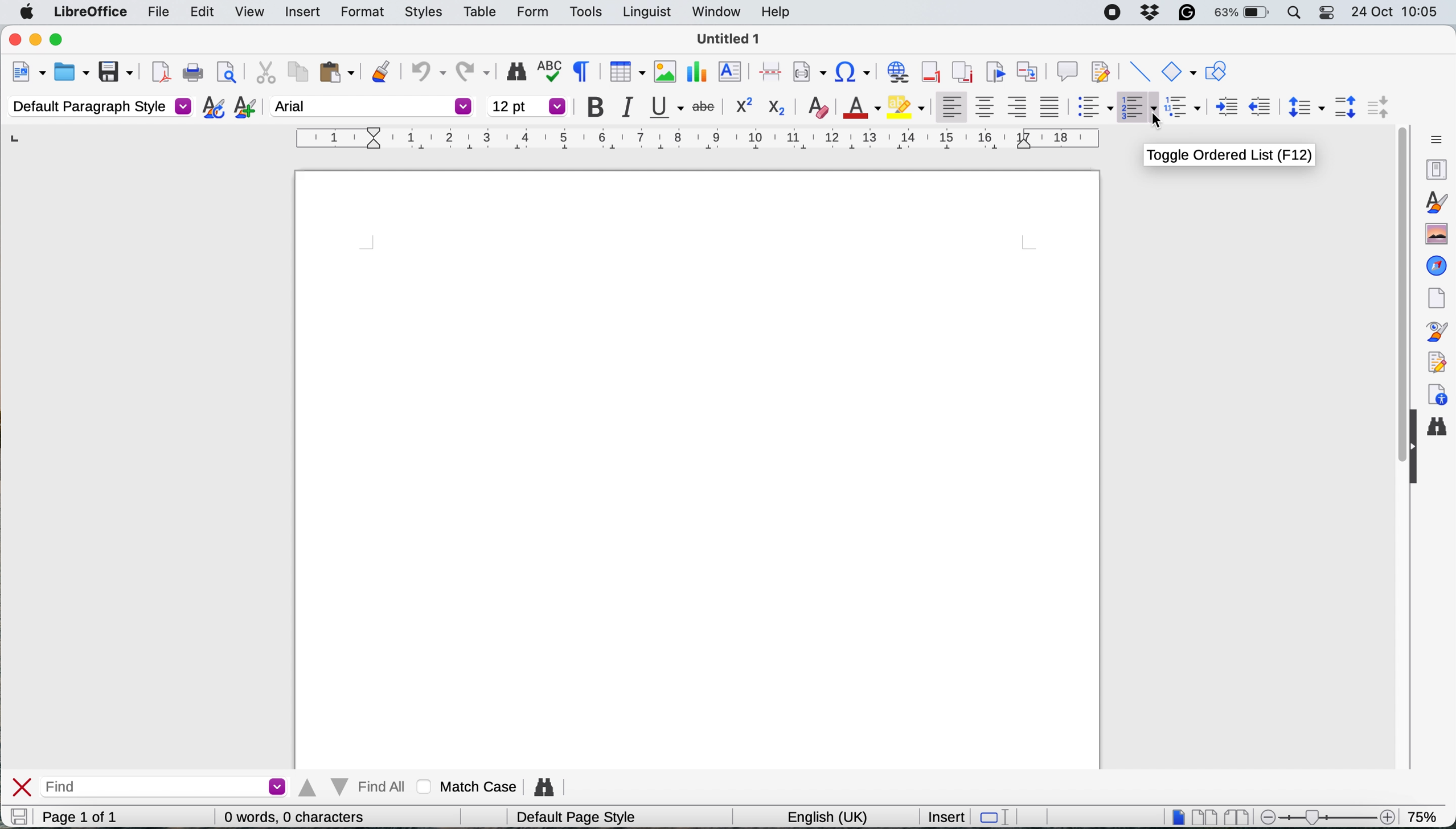  I want to click on collapse, so click(1412, 449).